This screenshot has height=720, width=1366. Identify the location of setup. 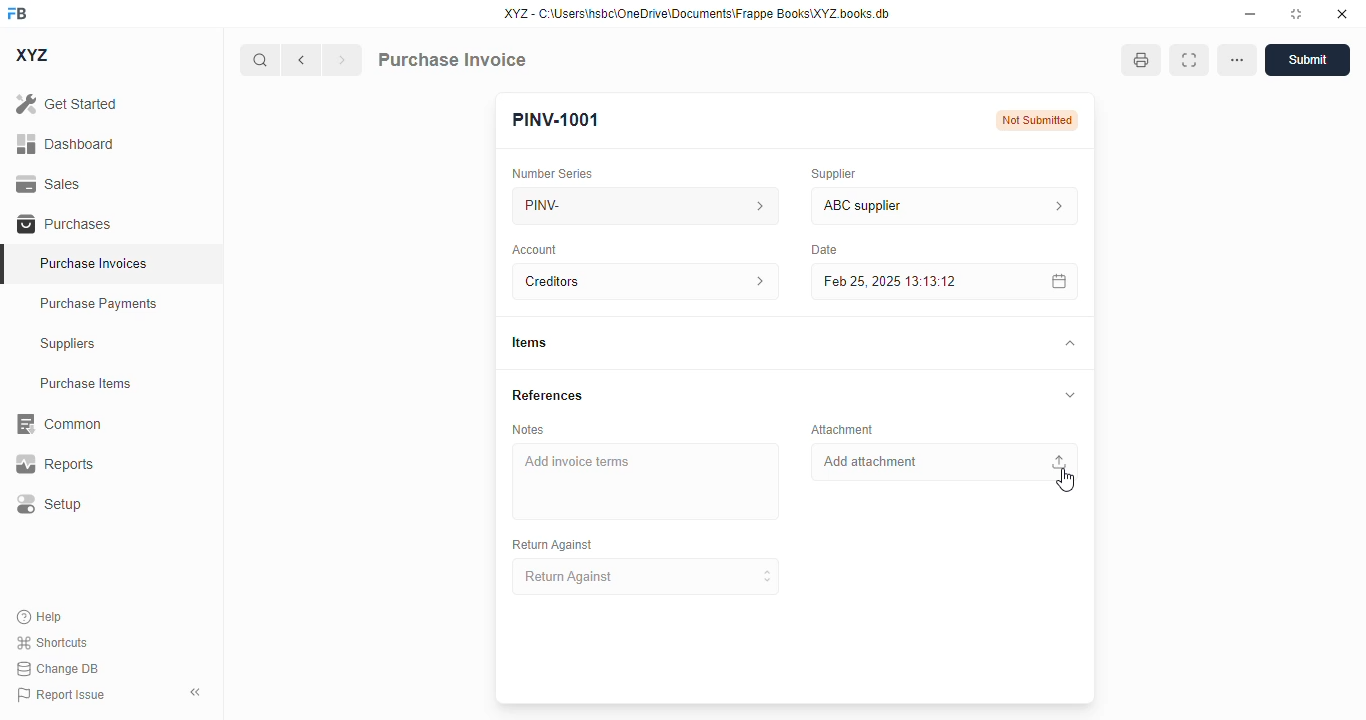
(47, 505).